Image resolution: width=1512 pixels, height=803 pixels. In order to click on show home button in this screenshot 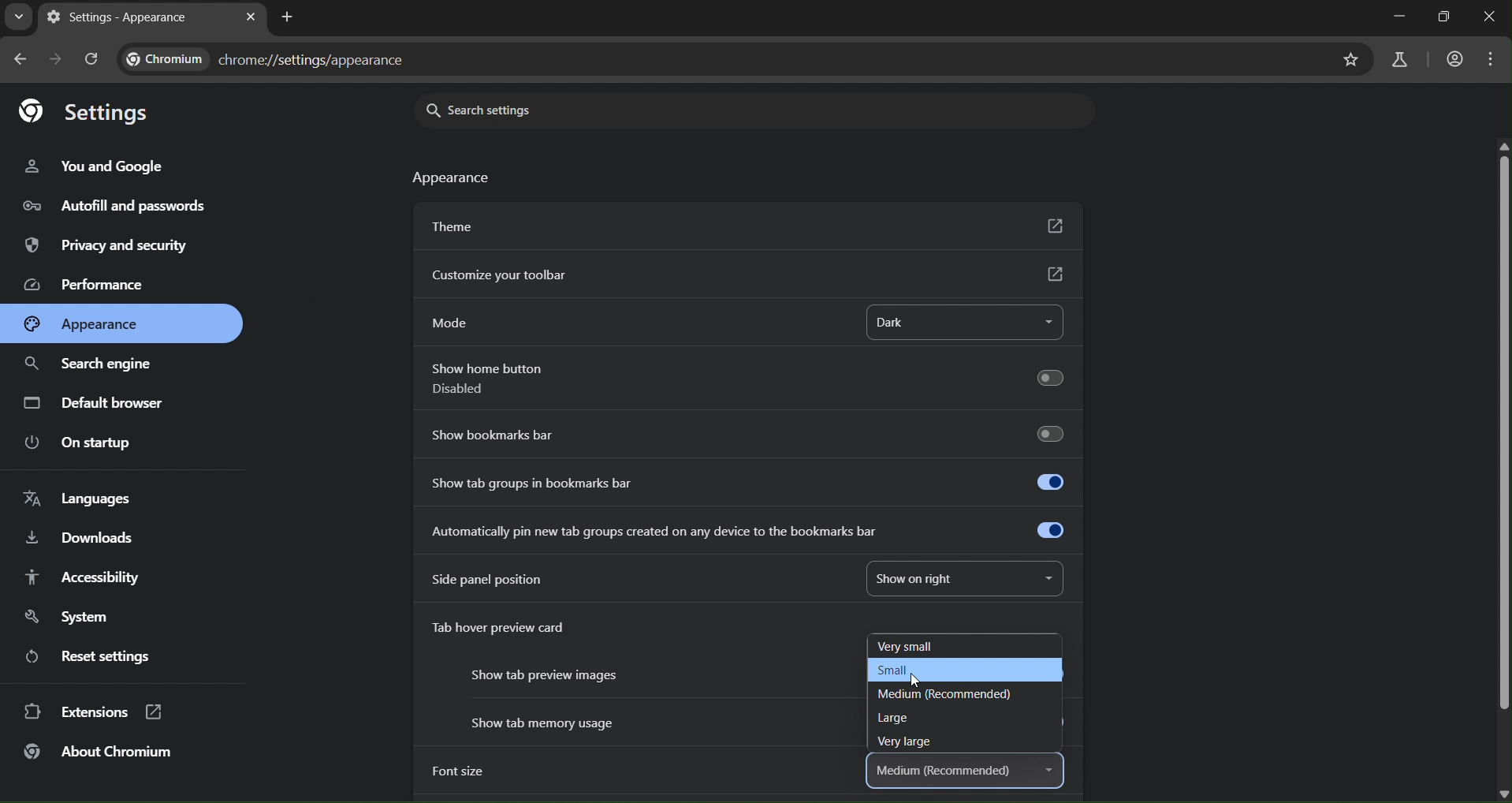, I will do `click(753, 381)`.